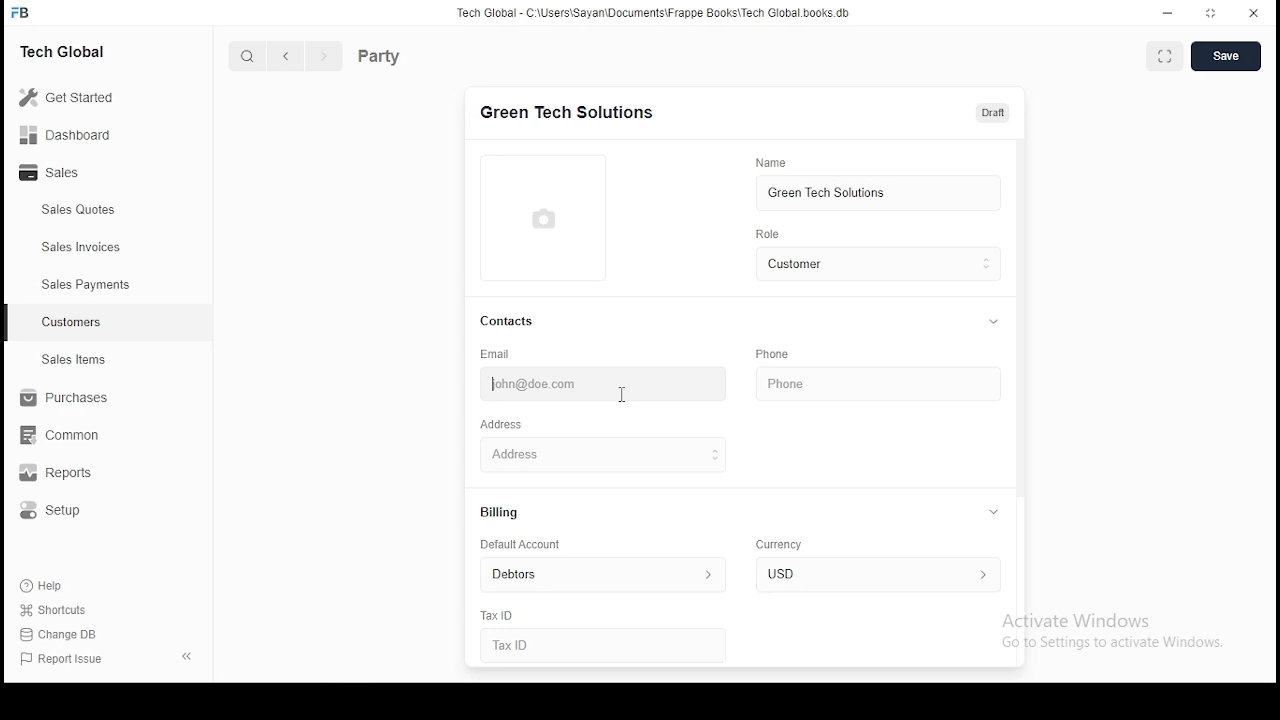 The height and width of the screenshot is (720, 1280). I want to click on toggle between form and fullscreen, so click(1168, 53).